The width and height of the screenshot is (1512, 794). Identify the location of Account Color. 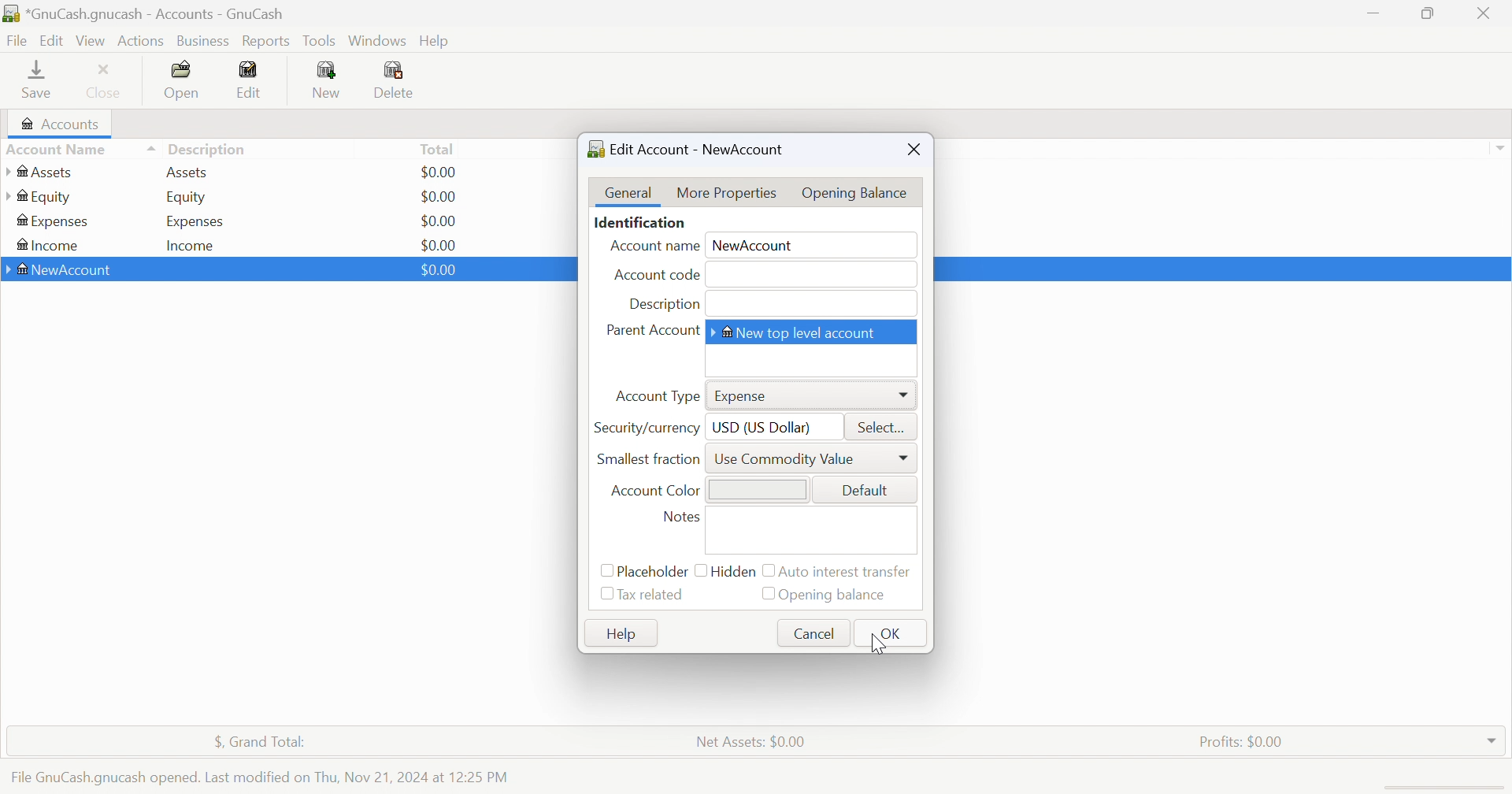
(655, 492).